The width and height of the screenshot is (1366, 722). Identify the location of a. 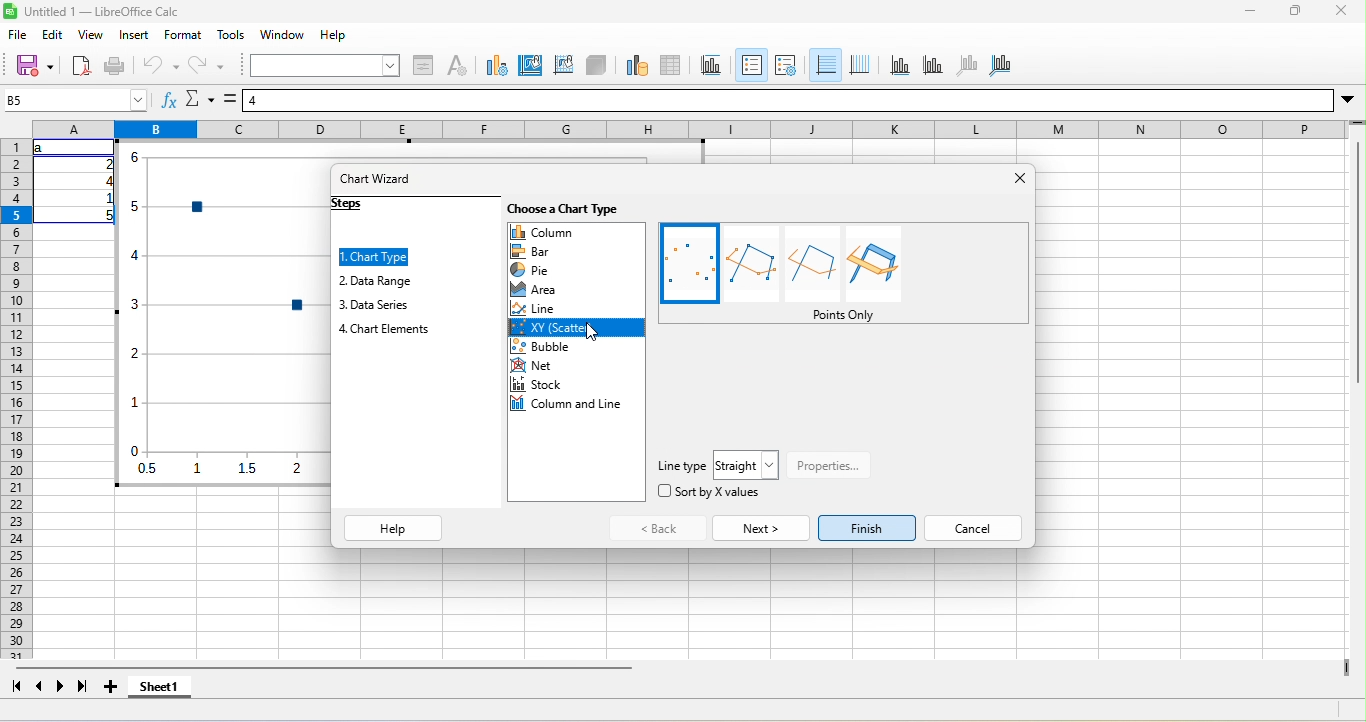
(42, 148).